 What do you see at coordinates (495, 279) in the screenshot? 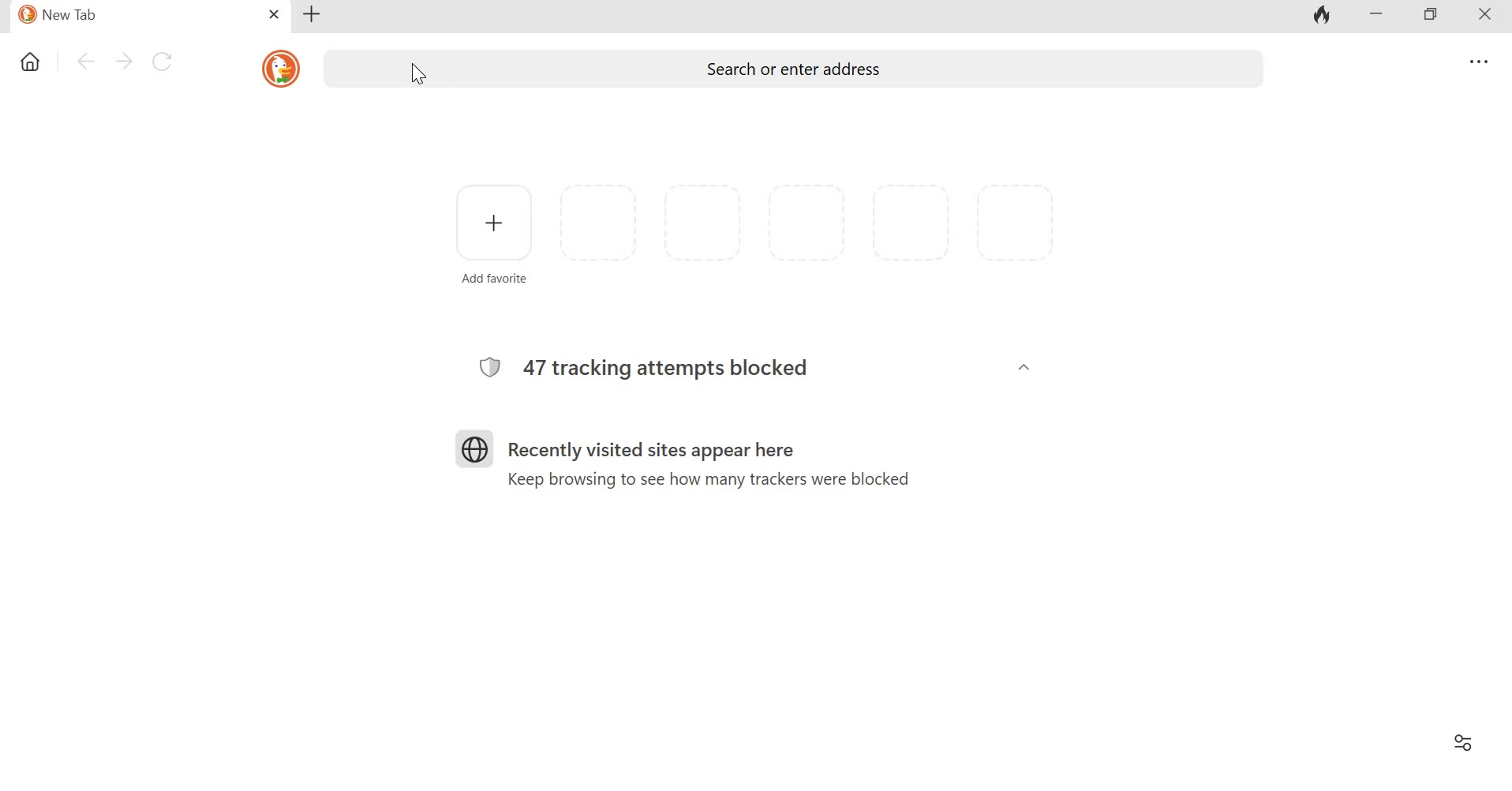
I see `Add favorite` at bounding box center [495, 279].